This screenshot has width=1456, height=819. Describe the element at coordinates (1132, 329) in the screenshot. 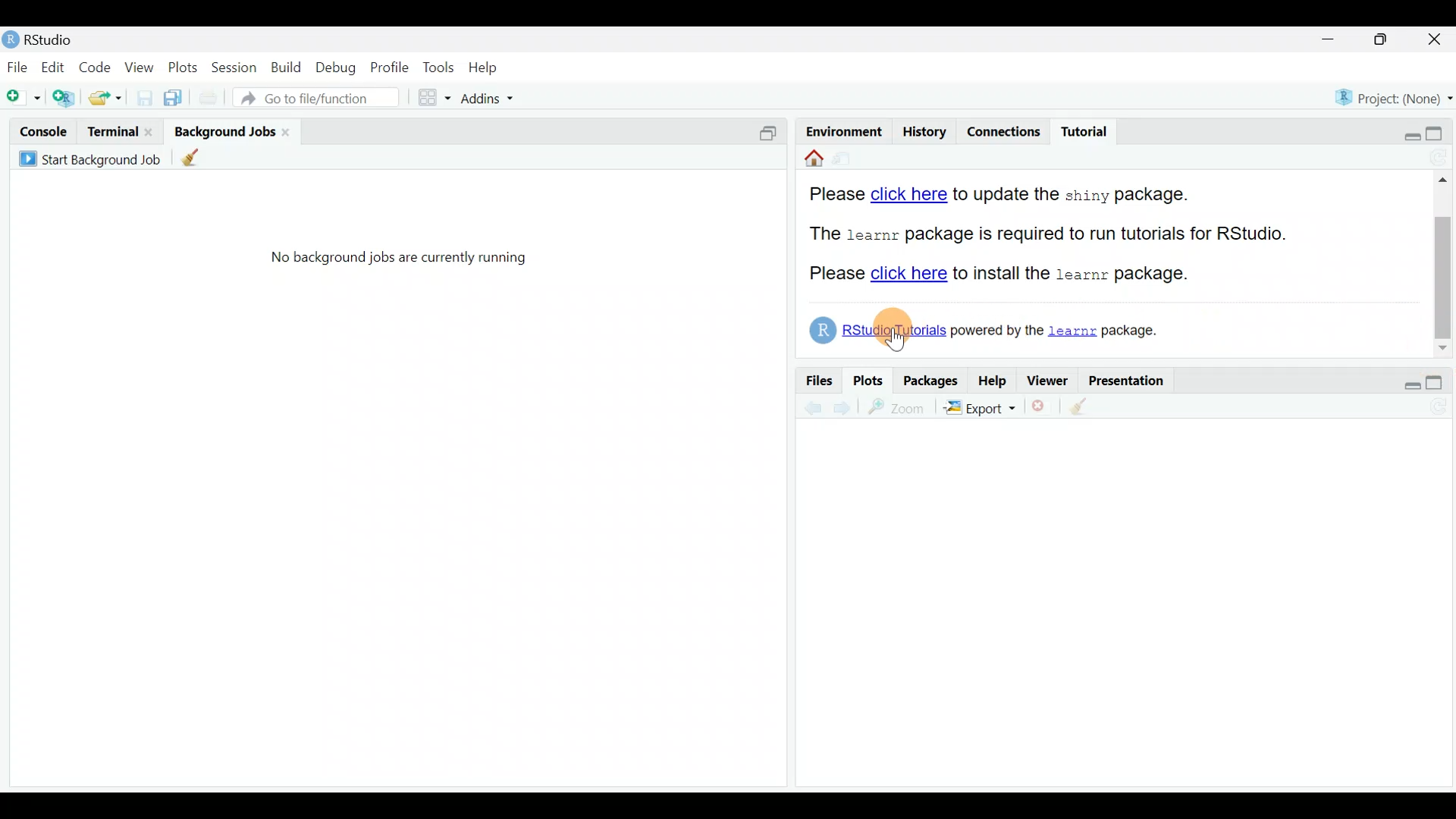

I see `I package` at that location.